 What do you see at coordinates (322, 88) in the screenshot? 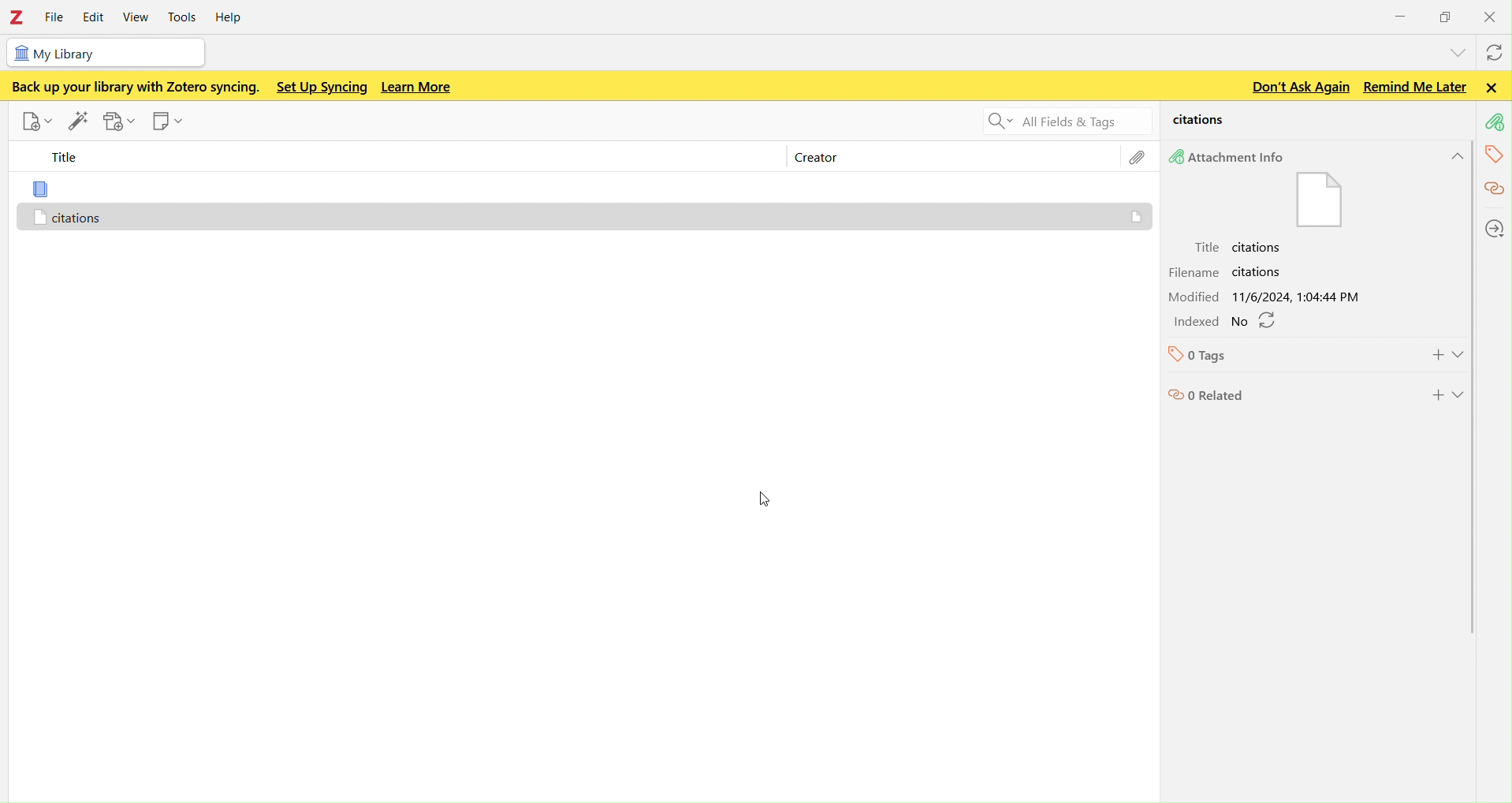
I see `Set up syncing` at bounding box center [322, 88].